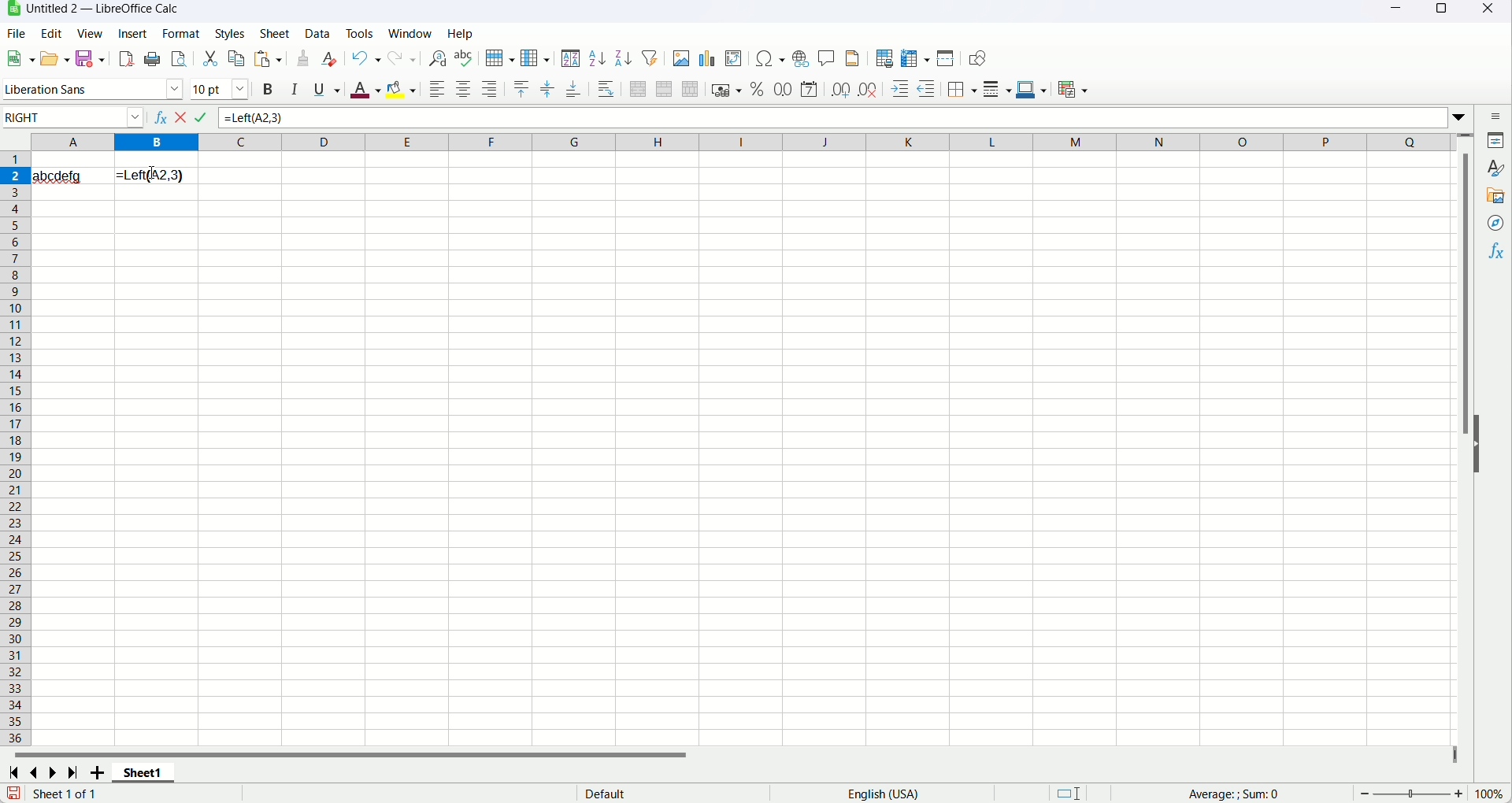  What do you see at coordinates (137, 34) in the screenshot?
I see `insert` at bounding box center [137, 34].